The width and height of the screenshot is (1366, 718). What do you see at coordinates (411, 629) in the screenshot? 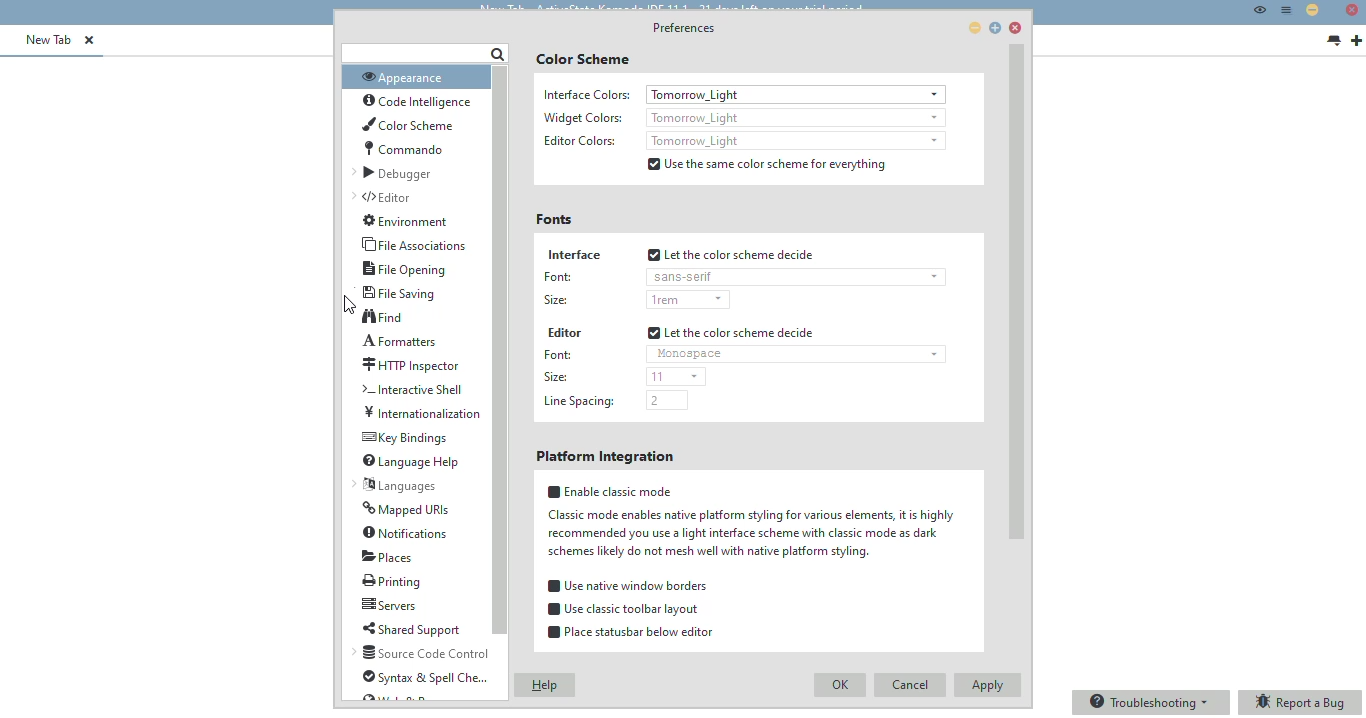
I see `shared support` at bounding box center [411, 629].